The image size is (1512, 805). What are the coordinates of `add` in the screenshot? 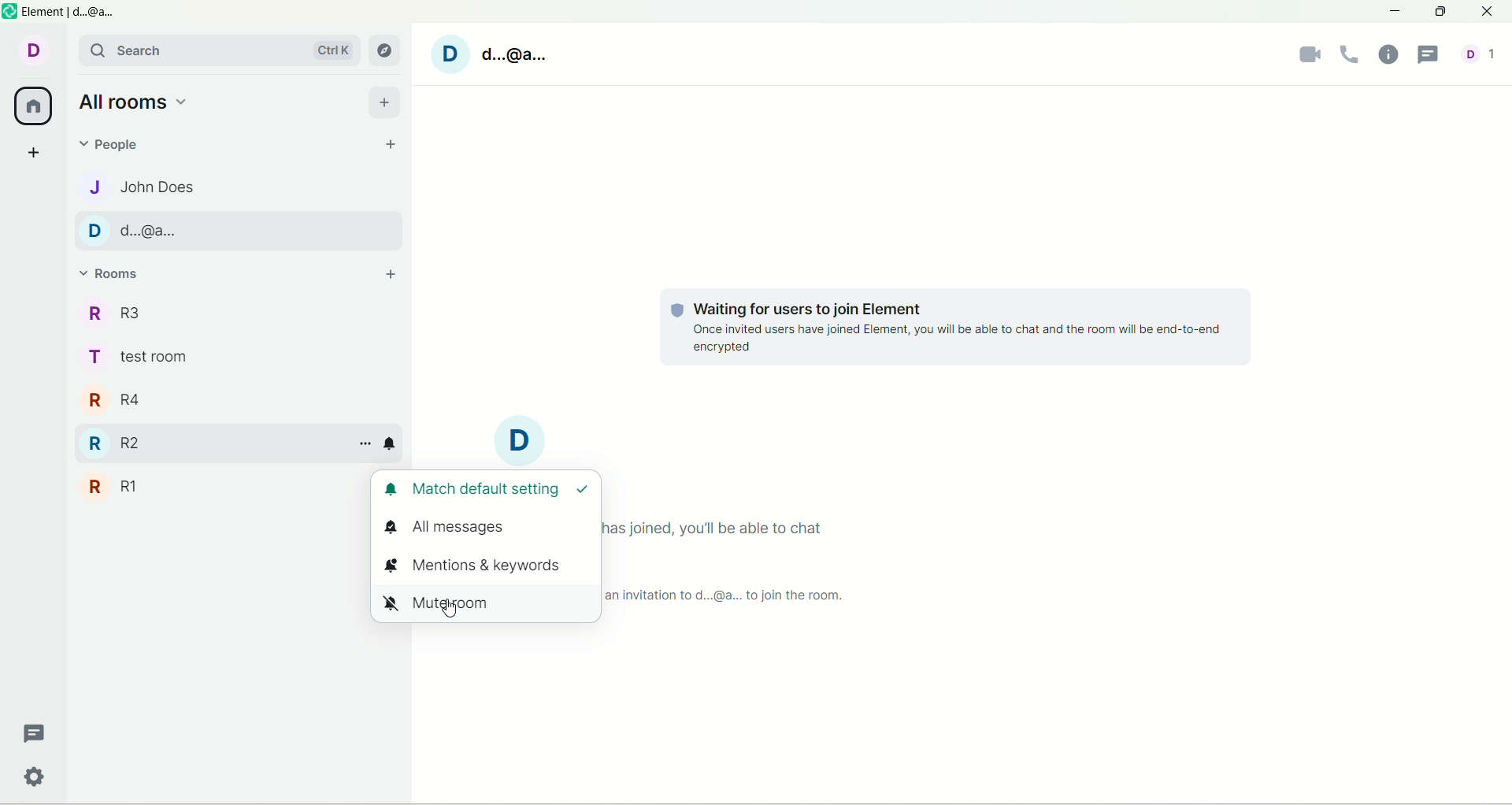 It's located at (398, 273).